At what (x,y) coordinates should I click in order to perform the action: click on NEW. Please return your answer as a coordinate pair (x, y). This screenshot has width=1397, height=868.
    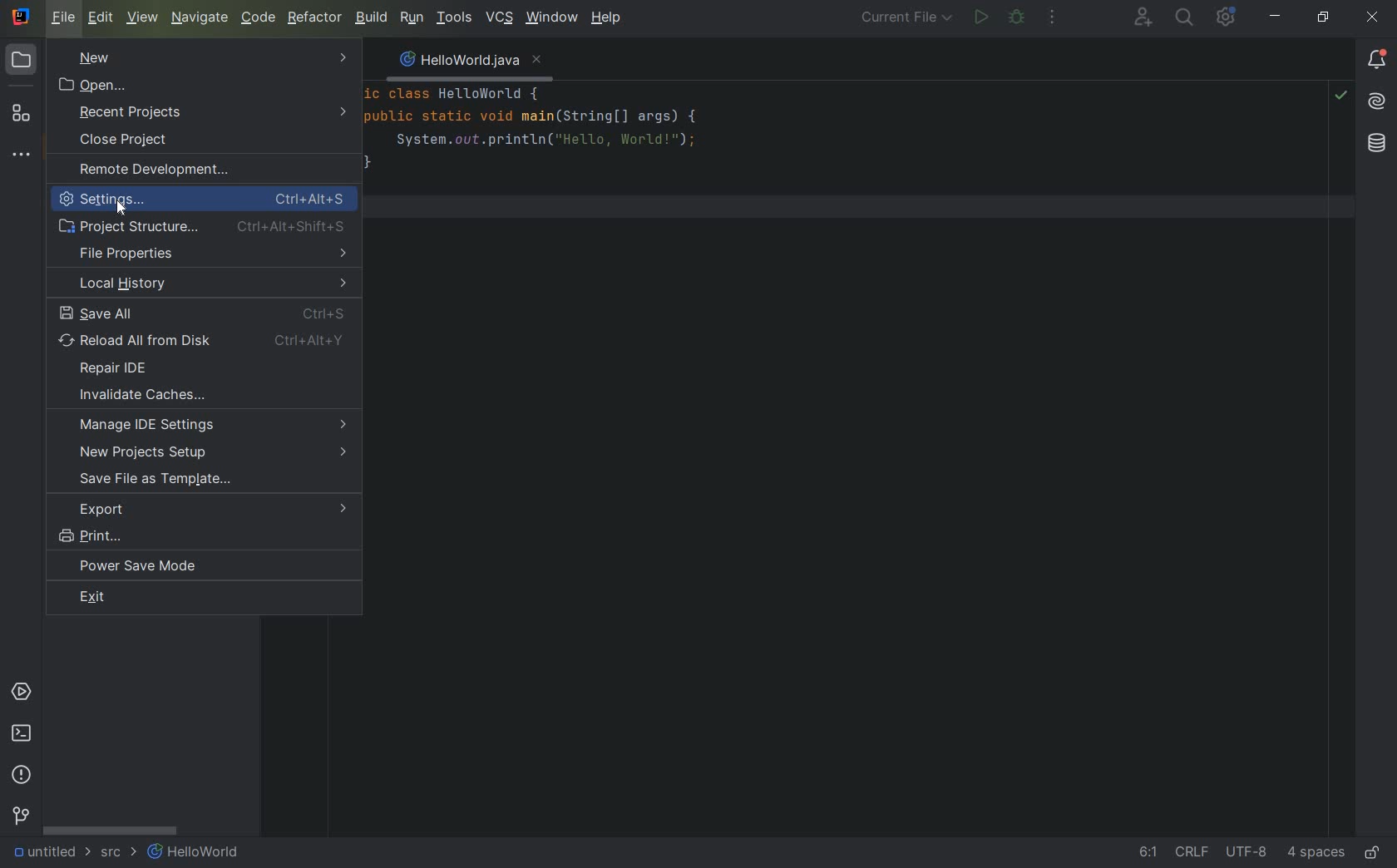
    Looking at the image, I should click on (206, 57).